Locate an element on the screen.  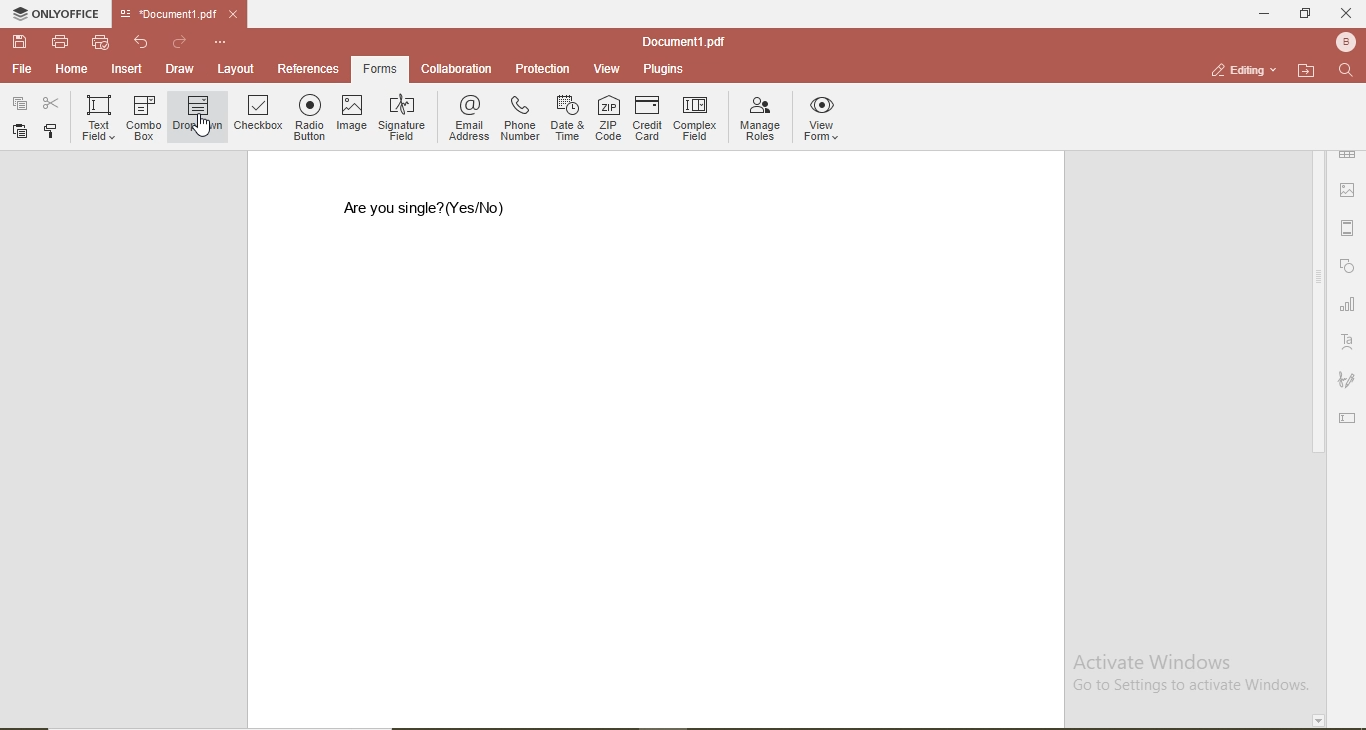
paste is located at coordinates (20, 132).